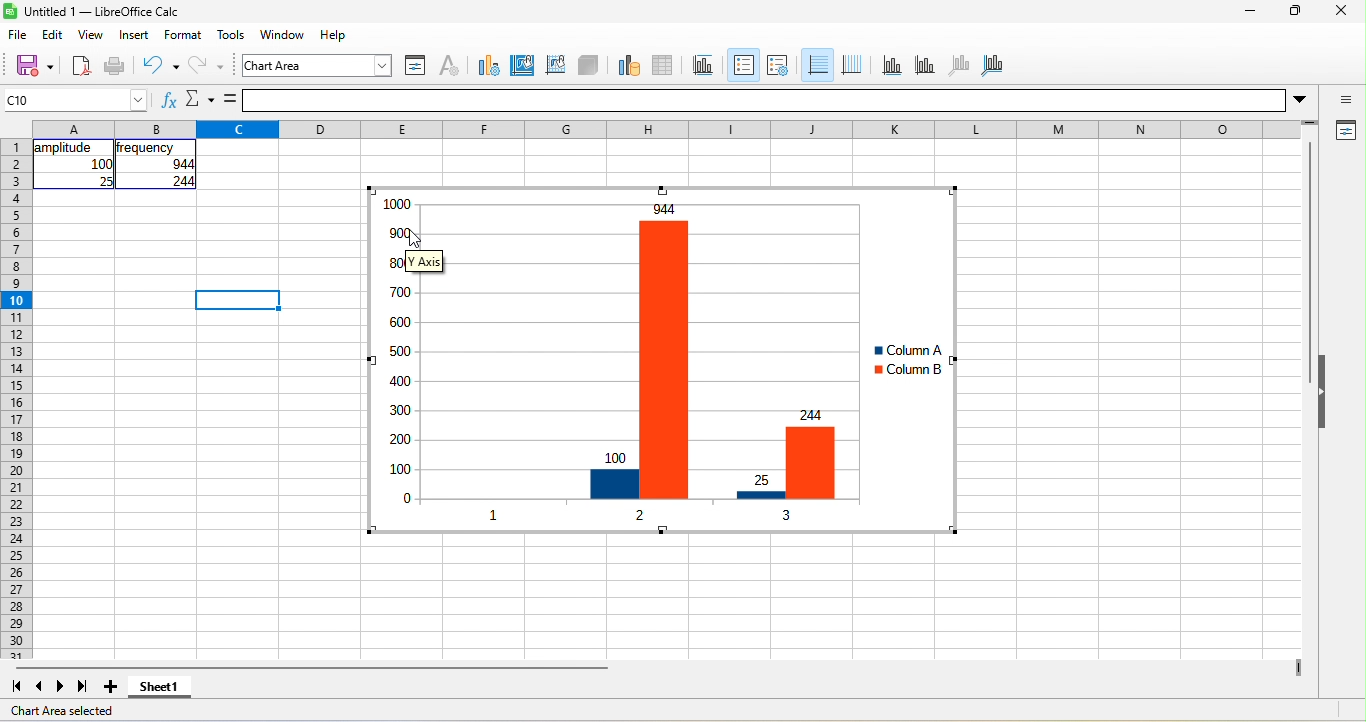 This screenshot has height=722, width=1366. What do you see at coordinates (15, 399) in the screenshot?
I see `rows` at bounding box center [15, 399].